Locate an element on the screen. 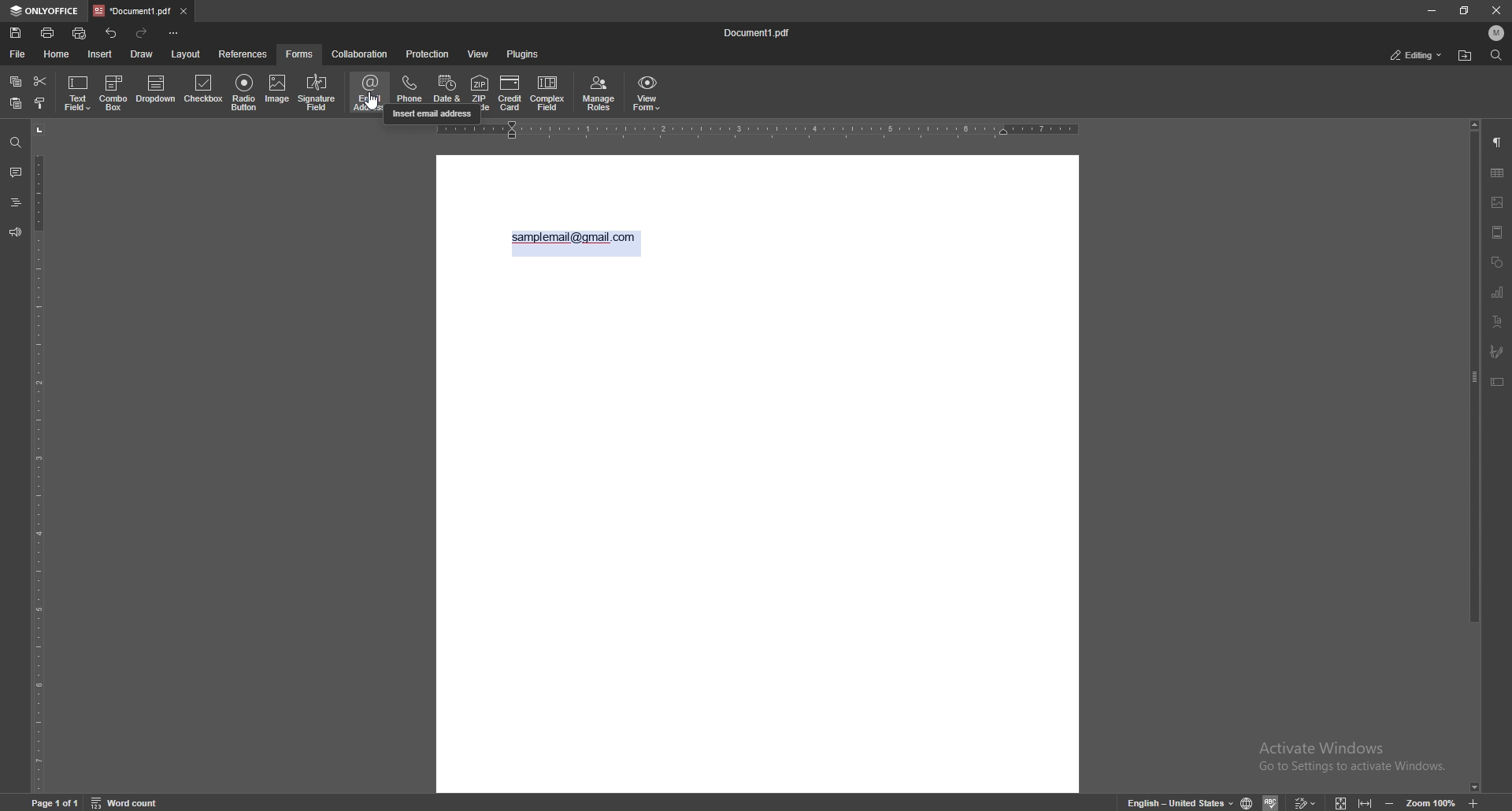 The image size is (1512, 811). cursor description is located at coordinates (432, 117).